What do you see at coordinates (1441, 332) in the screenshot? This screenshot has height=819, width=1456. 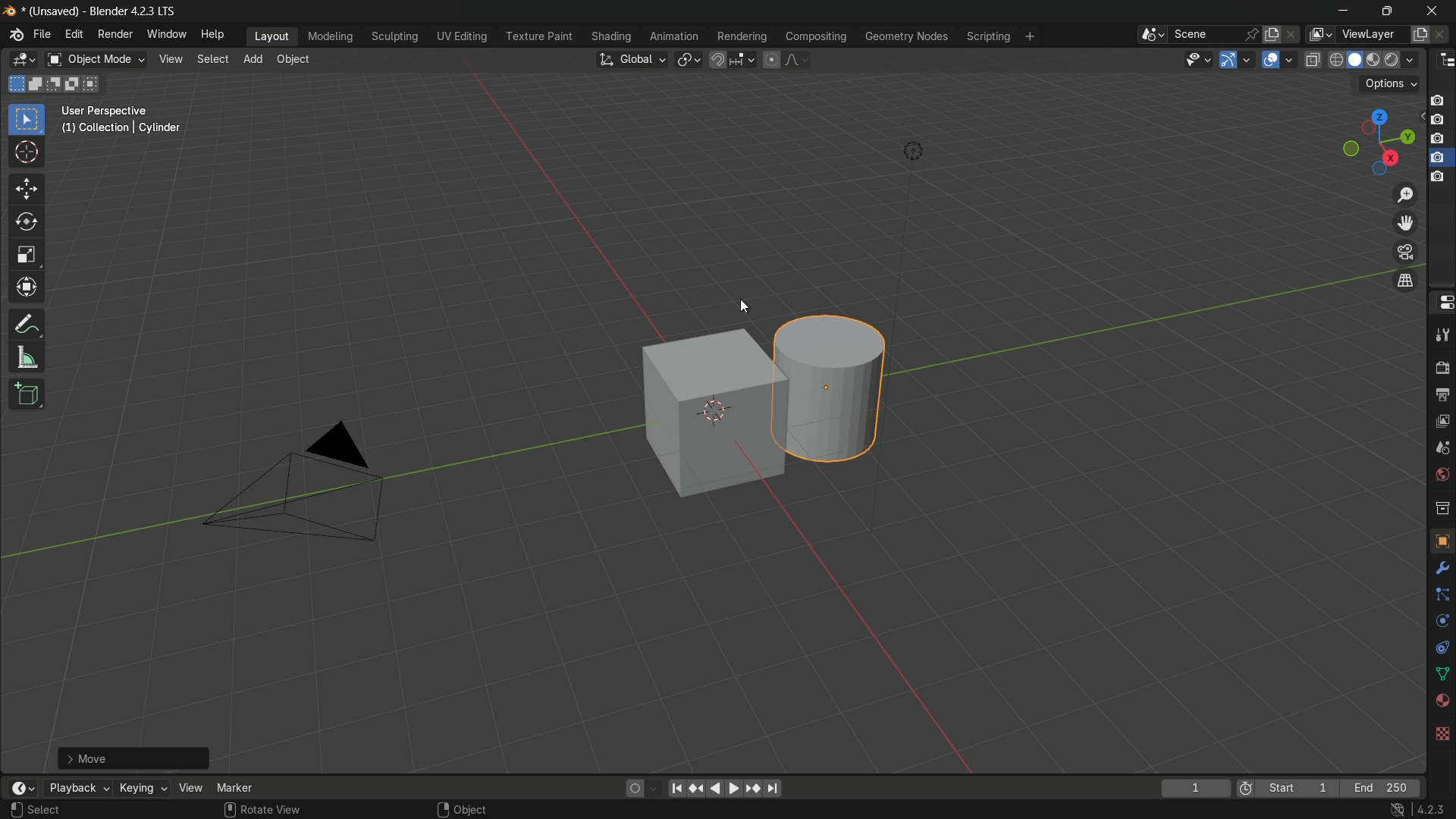 I see `tools` at bounding box center [1441, 332].